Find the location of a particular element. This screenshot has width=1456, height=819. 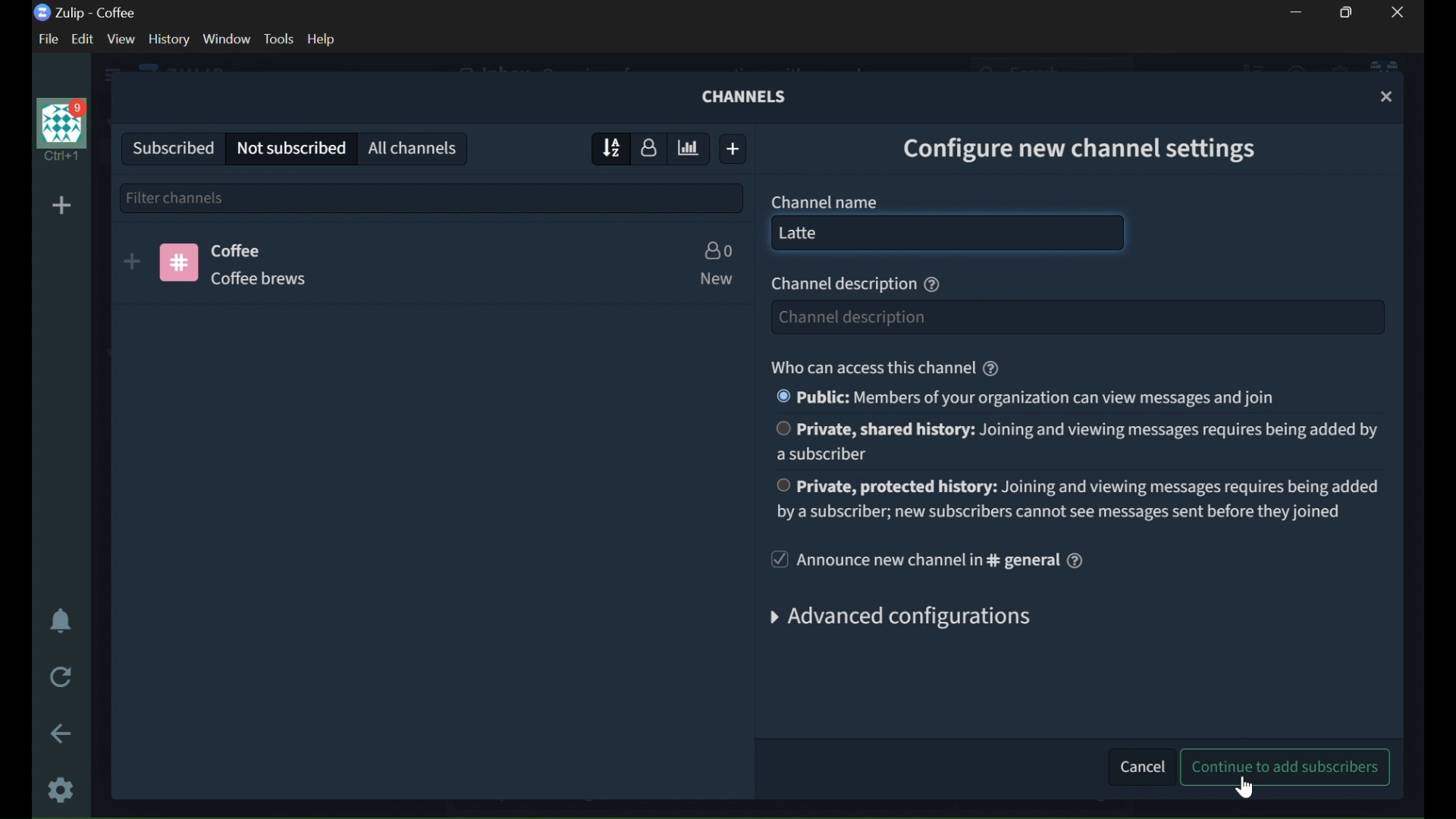

Private shared history: joining and viewing messages requires being added by a subscriber is located at coordinates (1076, 441).